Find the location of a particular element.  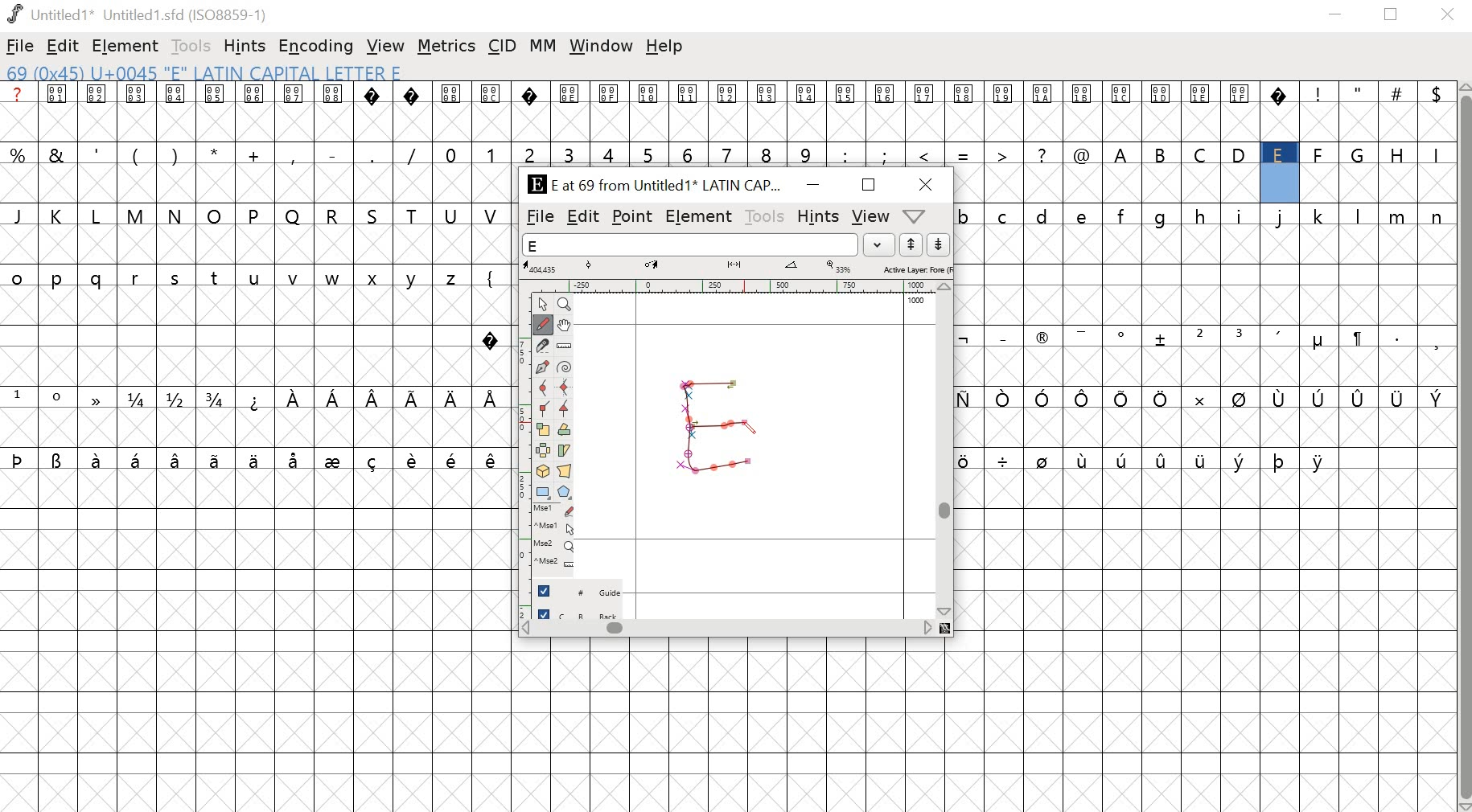

Rotate is located at coordinates (565, 430).